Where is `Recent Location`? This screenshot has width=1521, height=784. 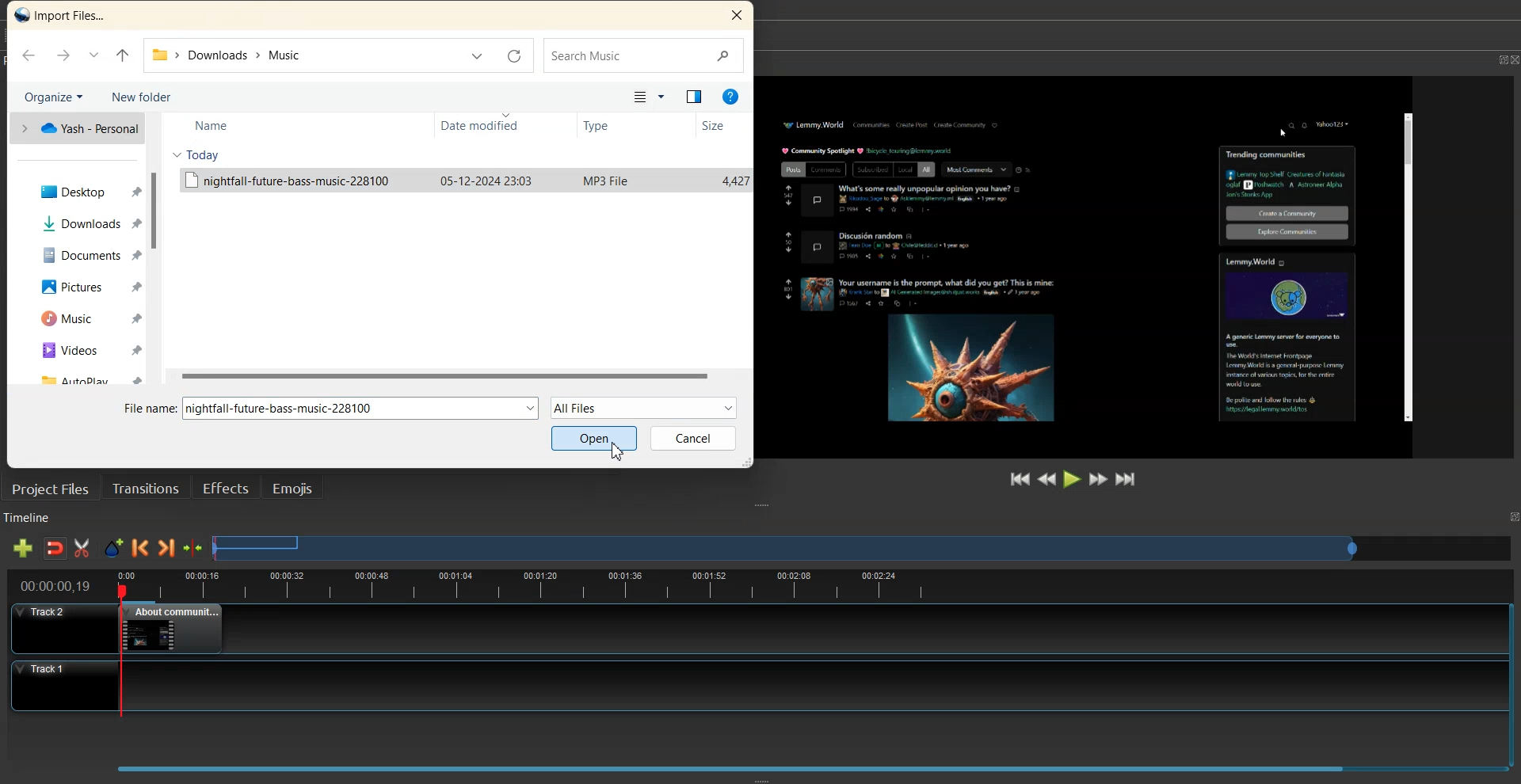 Recent Location is located at coordinates (94, 55).